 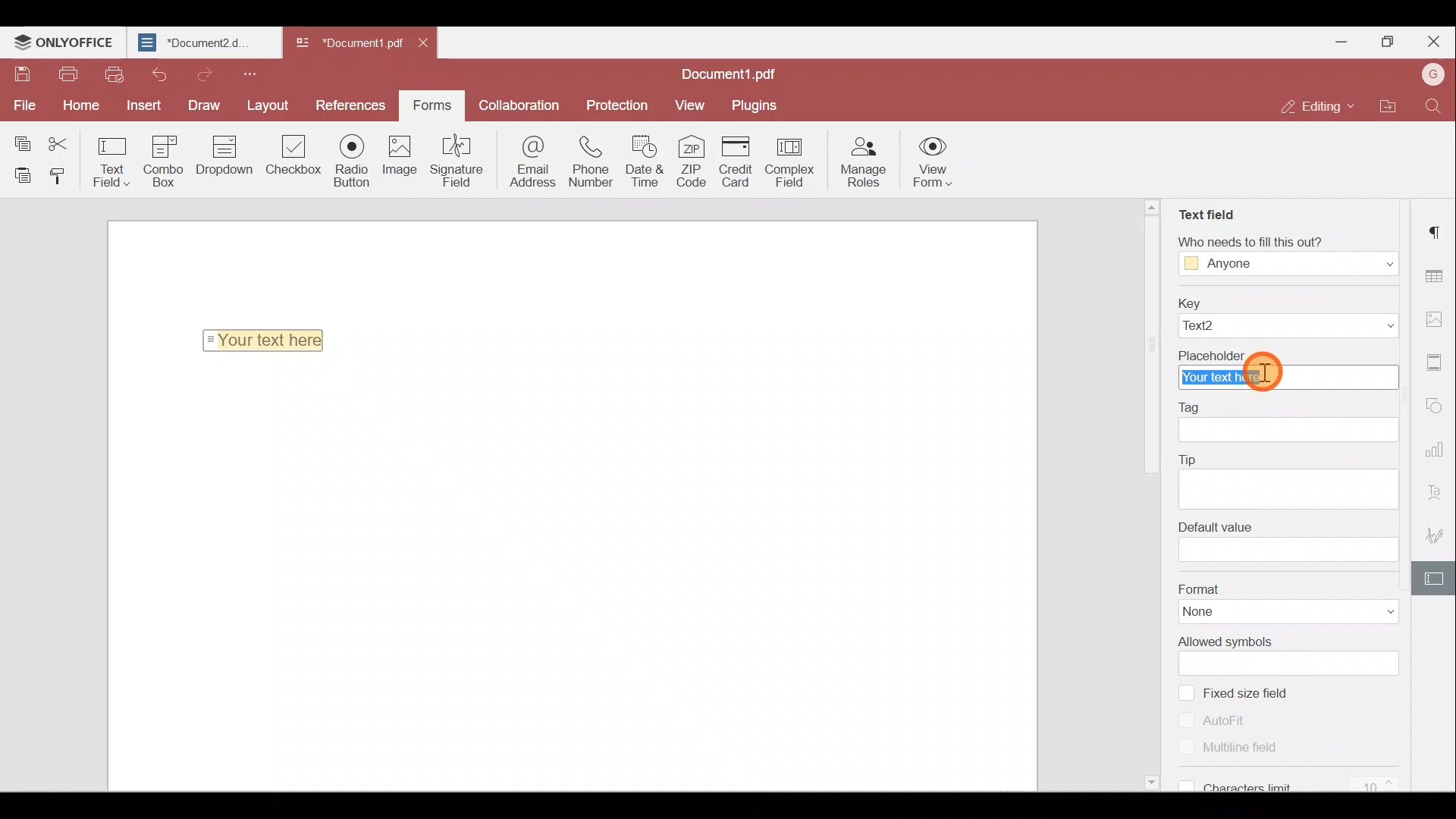 I want to click on Manage roles, so click(x=868, y=163).